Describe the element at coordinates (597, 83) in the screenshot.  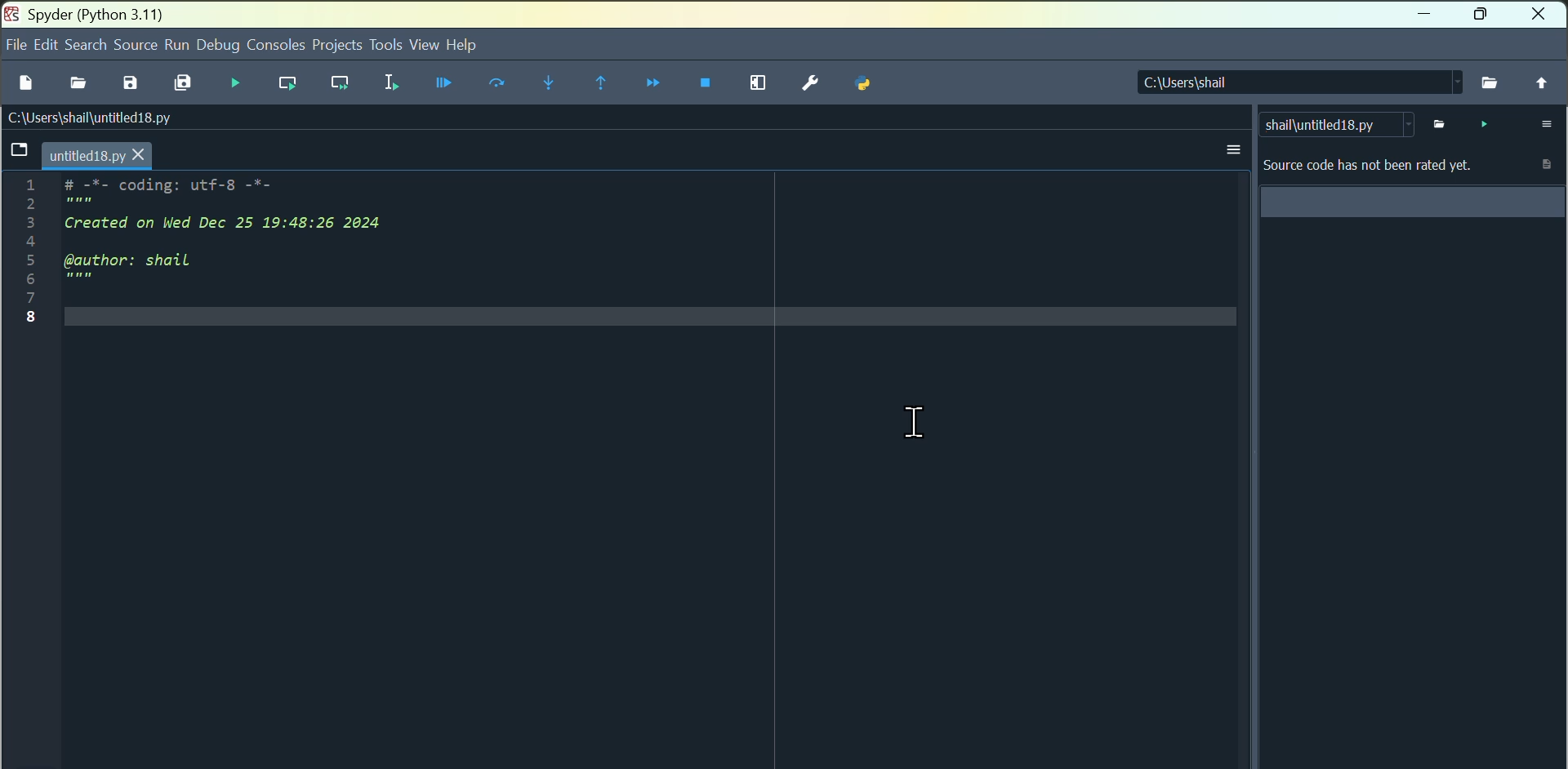
I see `Continue debugging` at that location.